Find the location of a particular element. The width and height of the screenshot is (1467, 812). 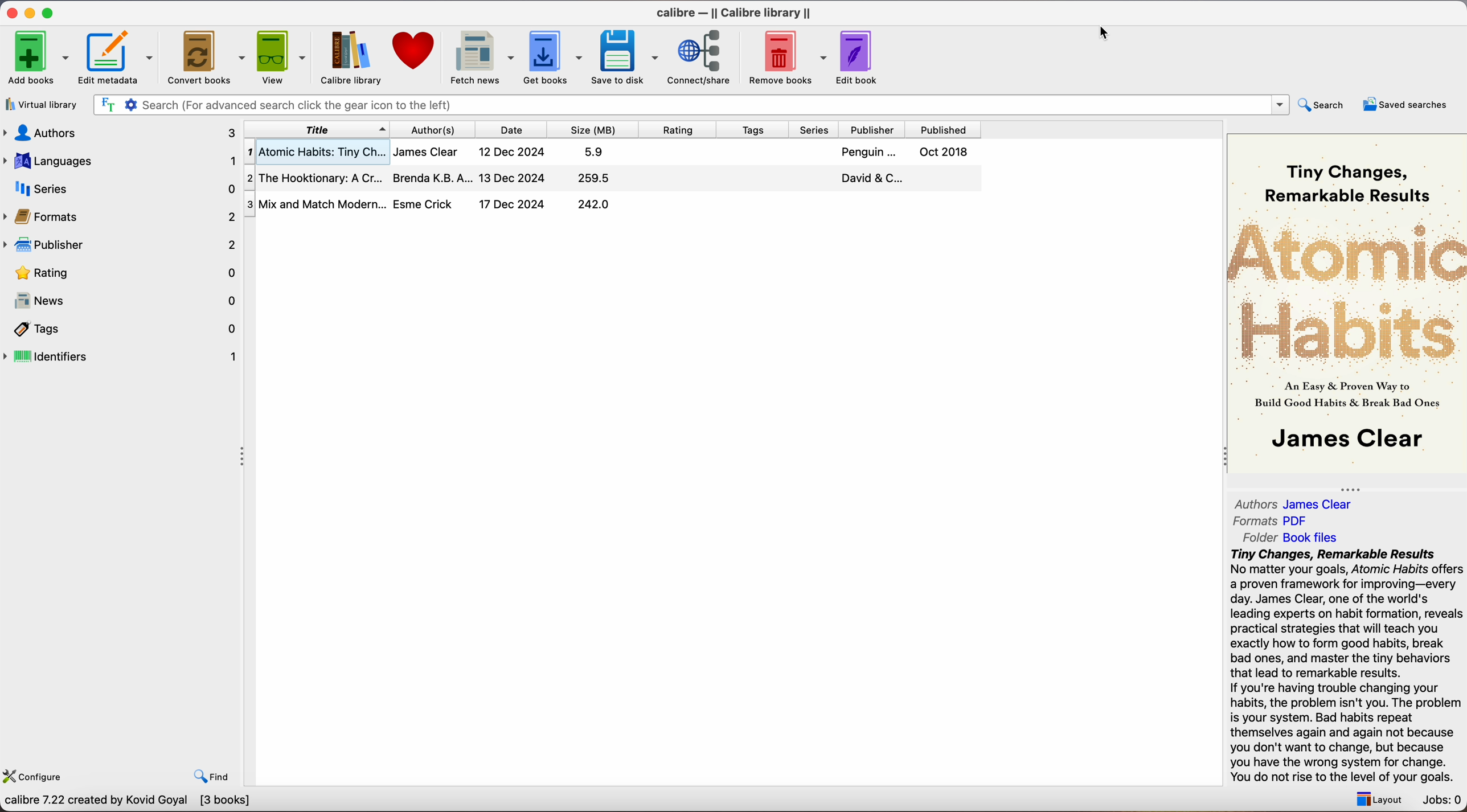

saved searches is located at coordinates (1405, 104).